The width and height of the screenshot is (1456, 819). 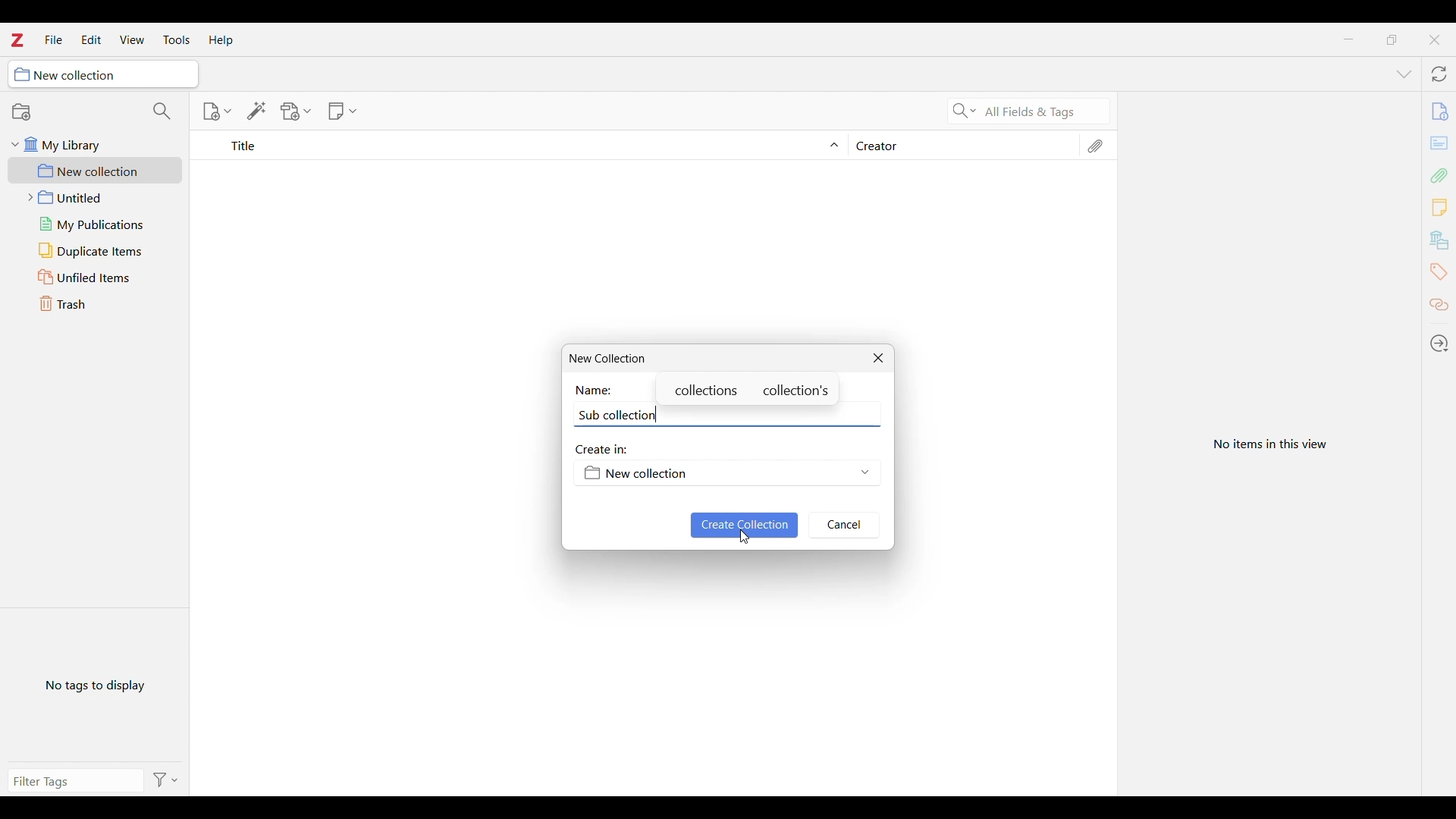 What do you see at coordinates (95, 277) in the screenshot?
I see `Unfiled items folder` at bounding box center [95, 277].